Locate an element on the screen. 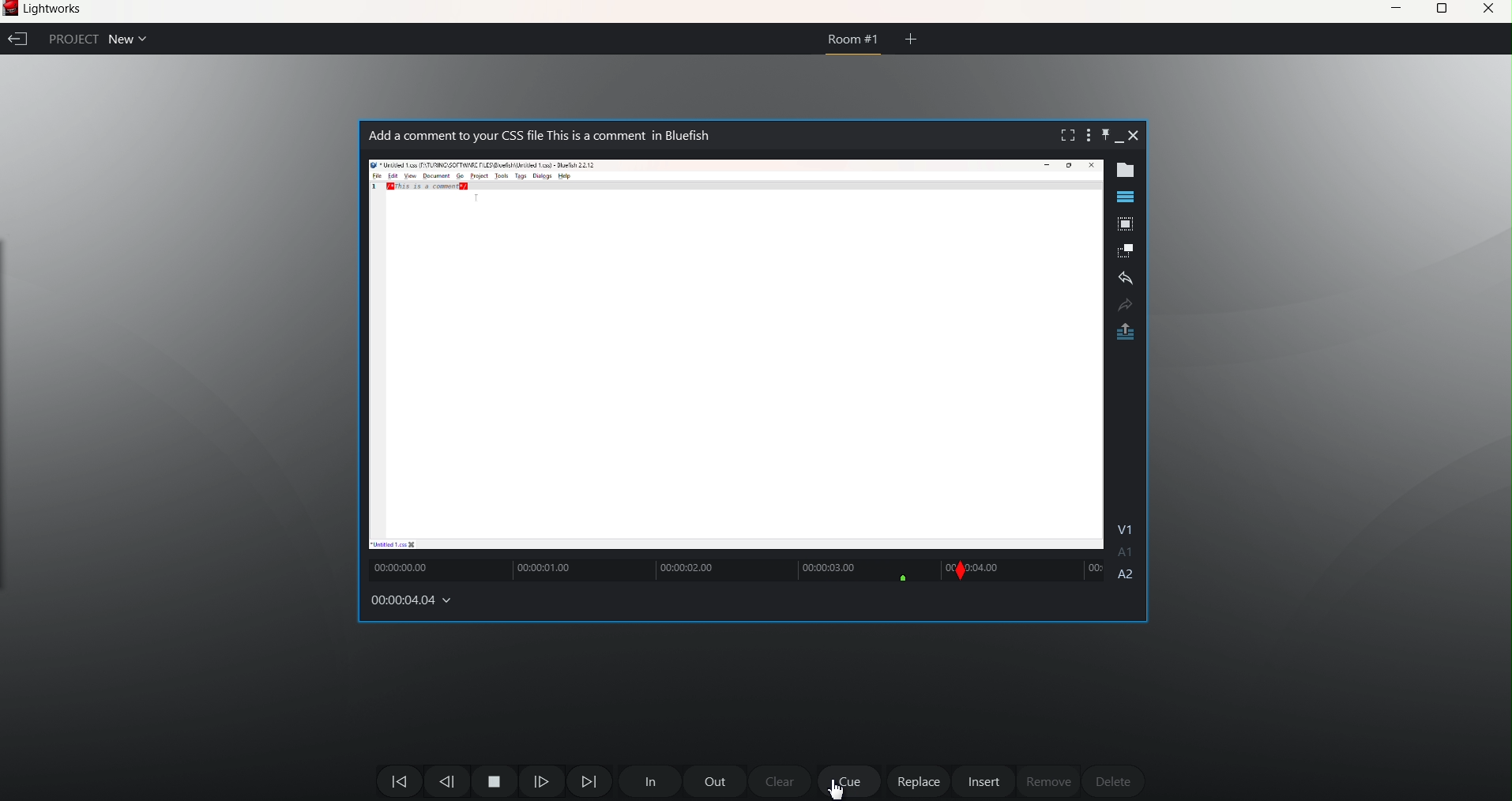  undo is located at coordinates (1126, 280).